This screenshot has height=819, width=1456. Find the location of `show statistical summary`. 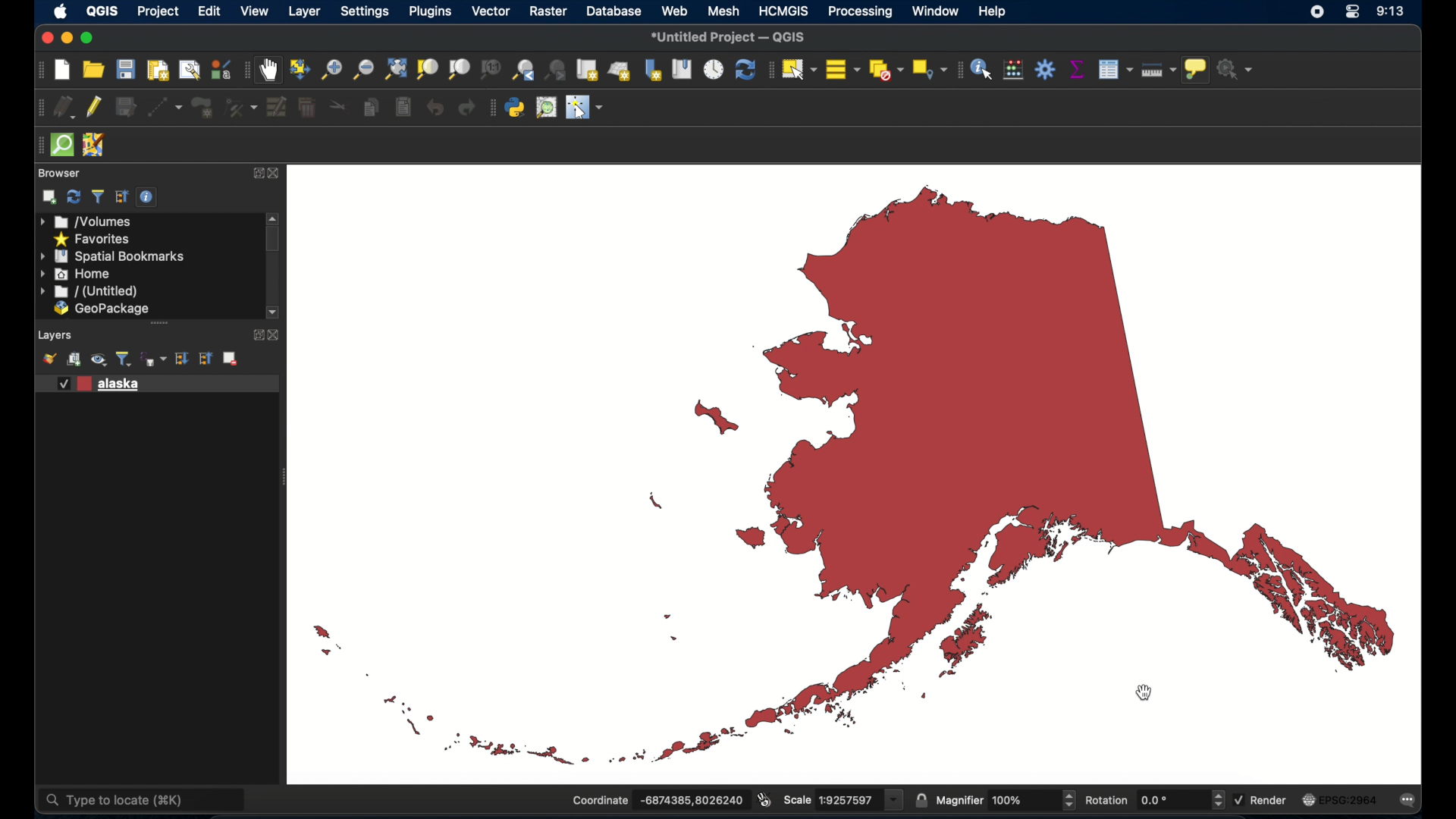

show statistical summary is located at coordinates (1076, 67).